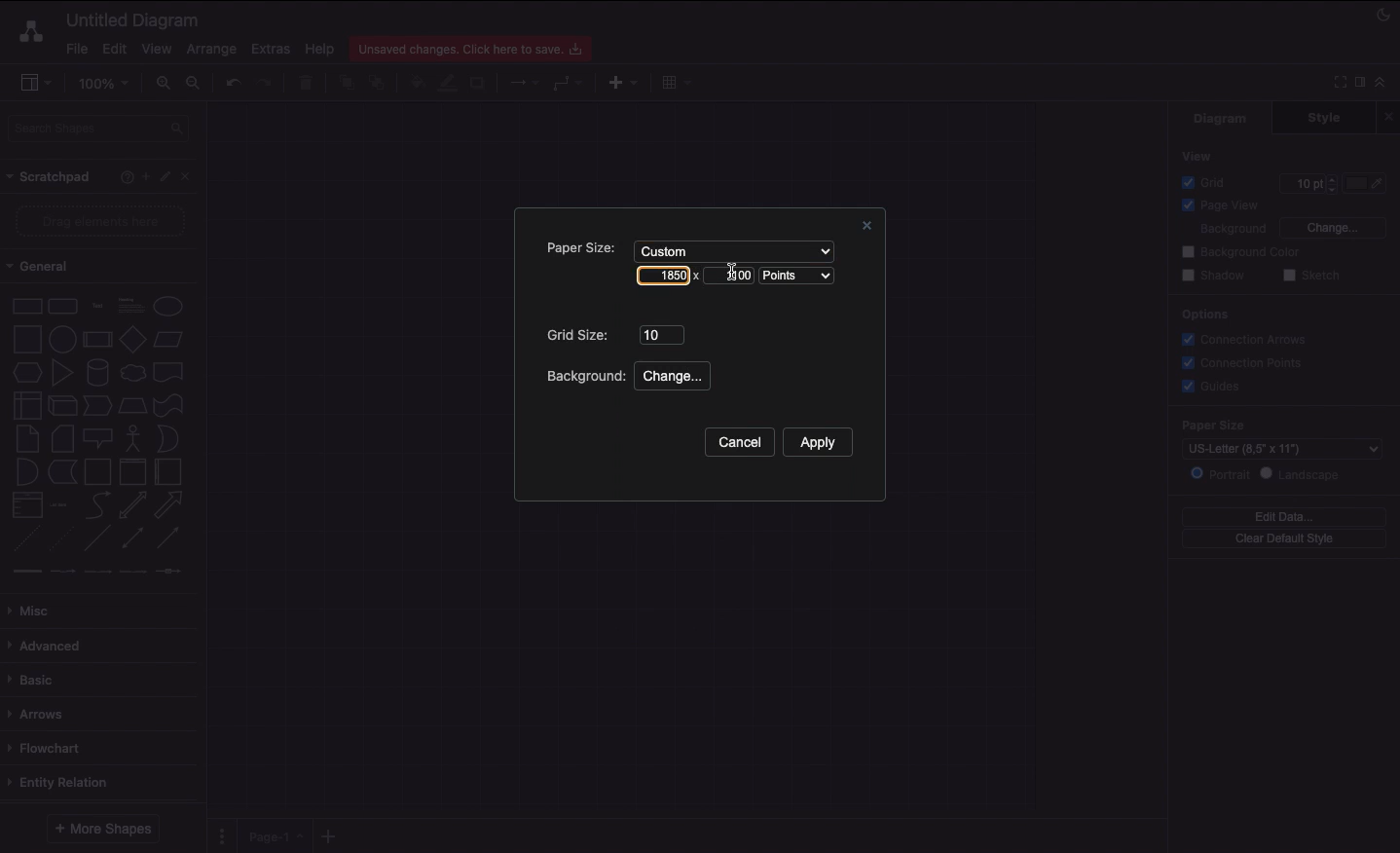  What do you see at coordinates (134, 570) in the screenshot?
I see `connector 4` at bounding box center [134, 570].